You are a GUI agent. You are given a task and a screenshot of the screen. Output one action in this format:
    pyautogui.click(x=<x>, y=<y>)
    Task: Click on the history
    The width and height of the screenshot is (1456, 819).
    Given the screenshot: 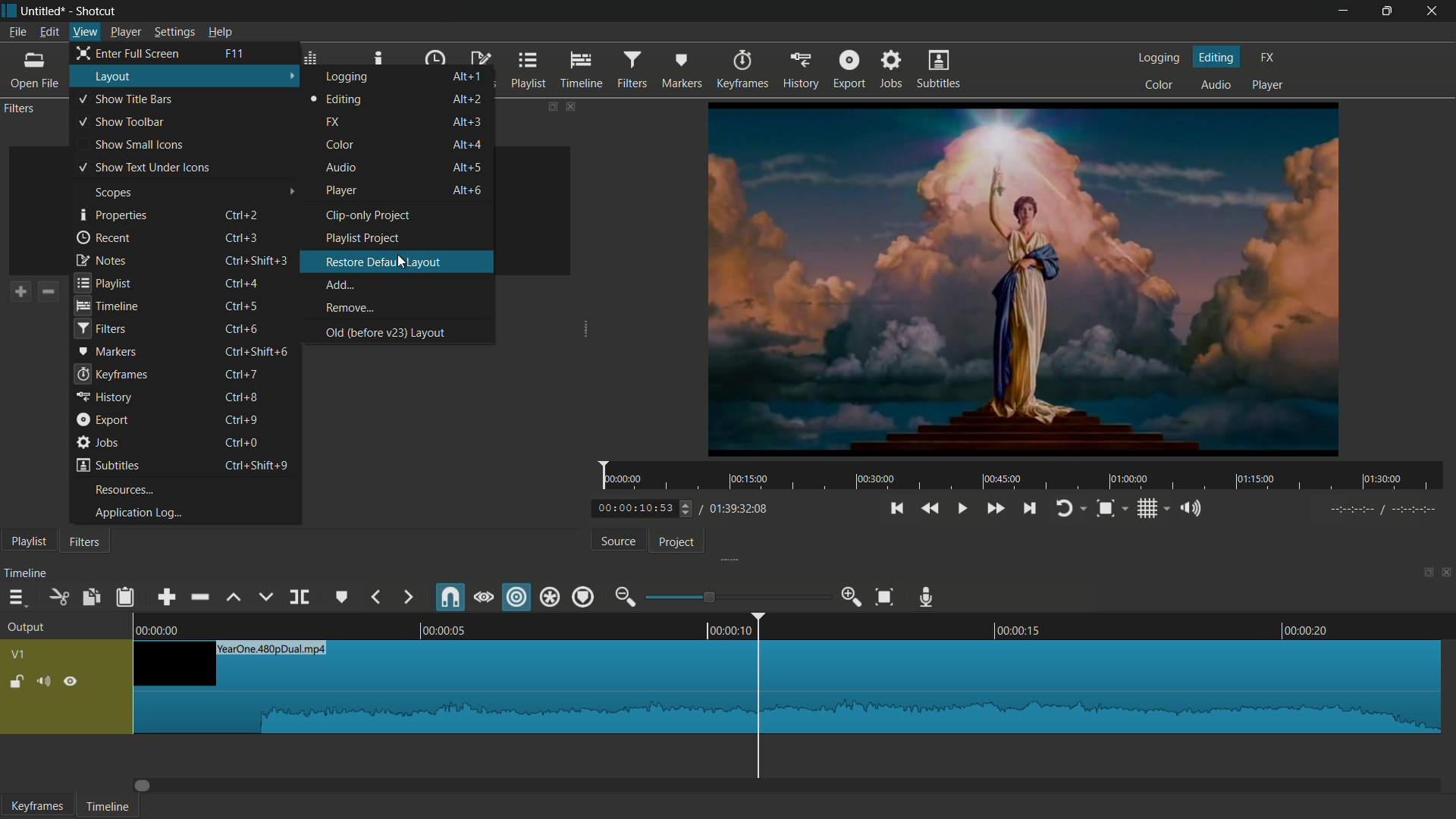 What is the action you would take?
    pyautogui.click(x=104, y=398)
    